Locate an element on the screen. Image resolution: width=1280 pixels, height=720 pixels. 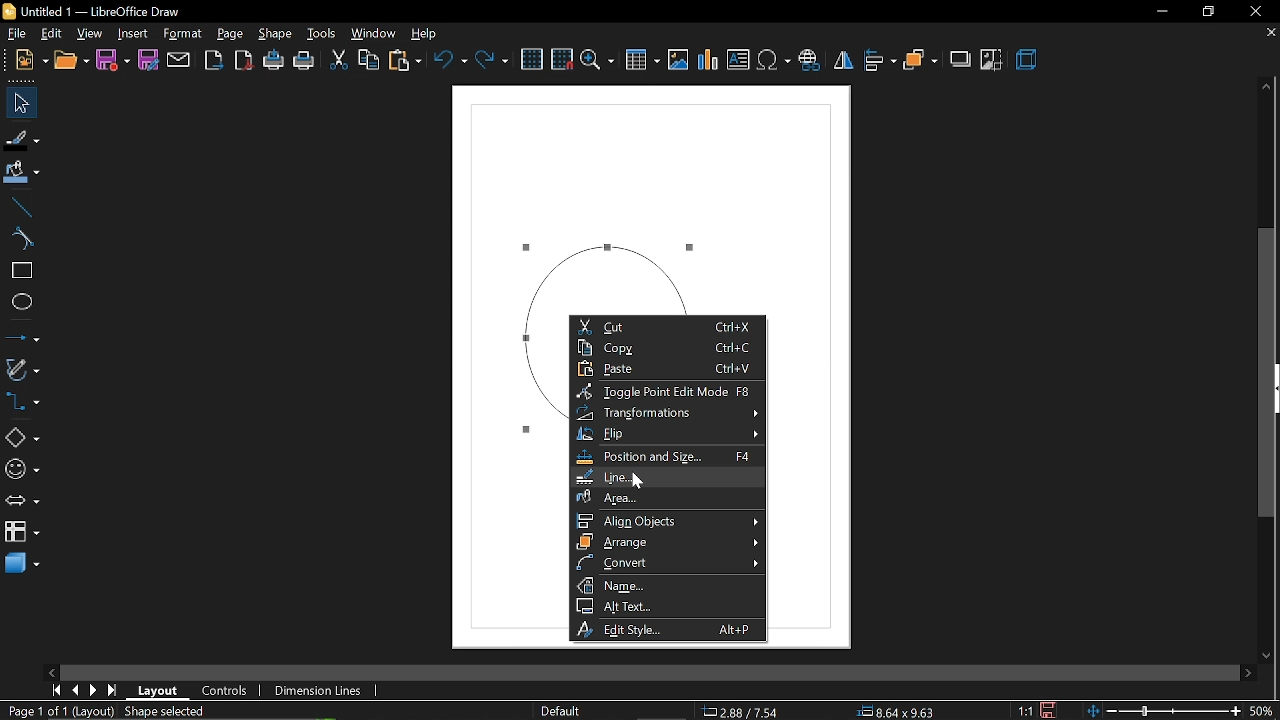
snap to grid is located at coordinates (562, 59).